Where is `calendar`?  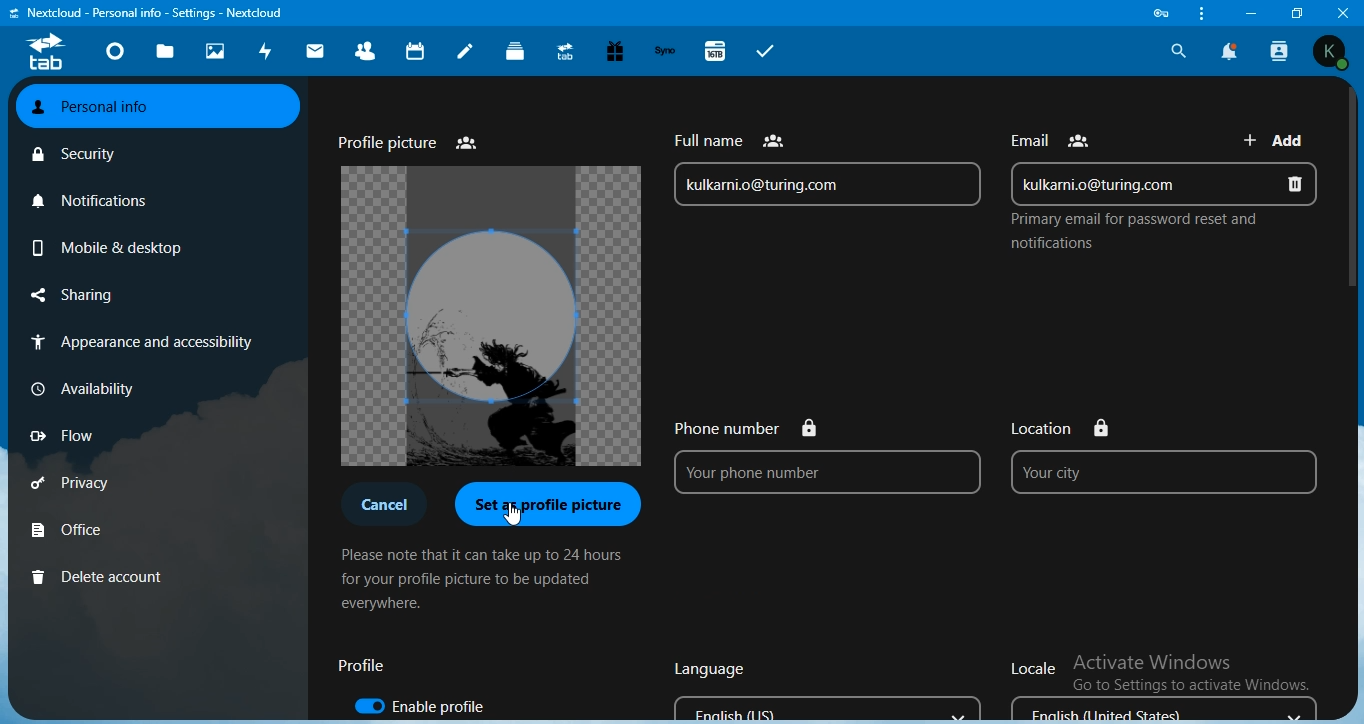 calendar is located at coordinates (416, 50).